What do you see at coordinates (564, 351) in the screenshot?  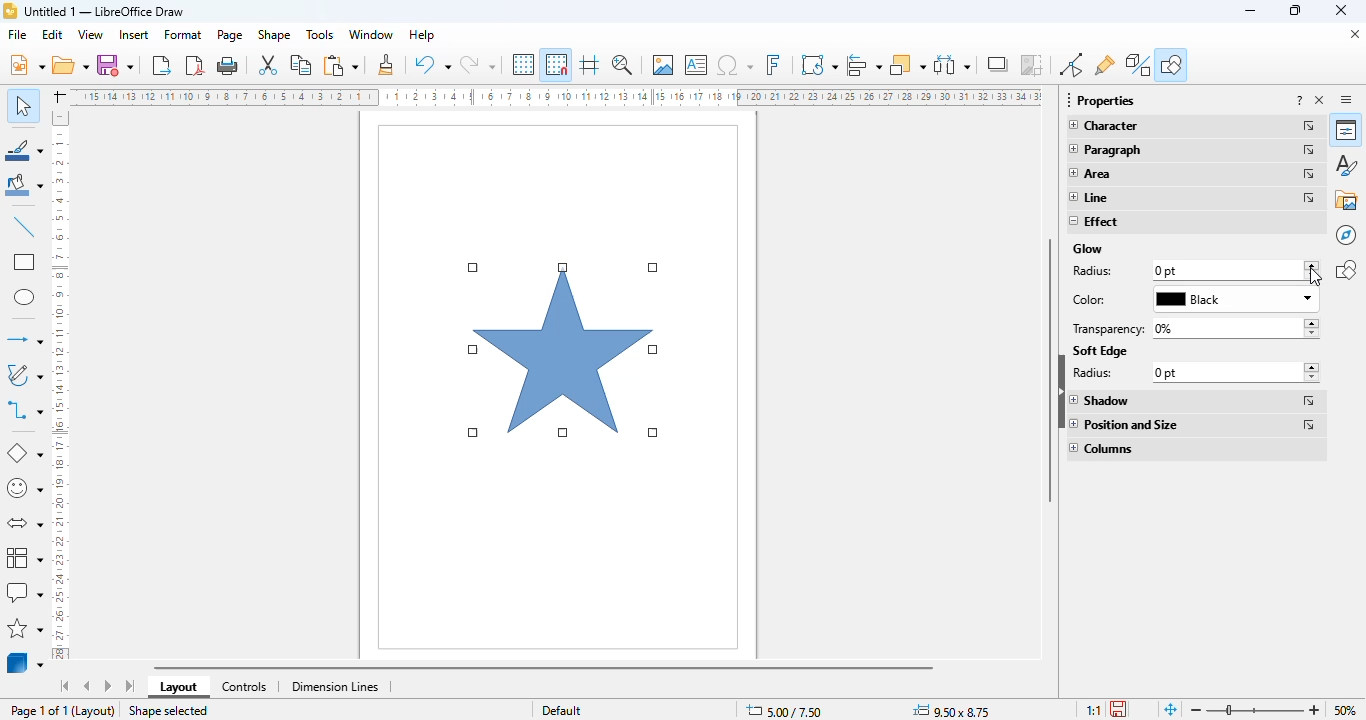 I see `star selected` at bounding box center [564, 351].